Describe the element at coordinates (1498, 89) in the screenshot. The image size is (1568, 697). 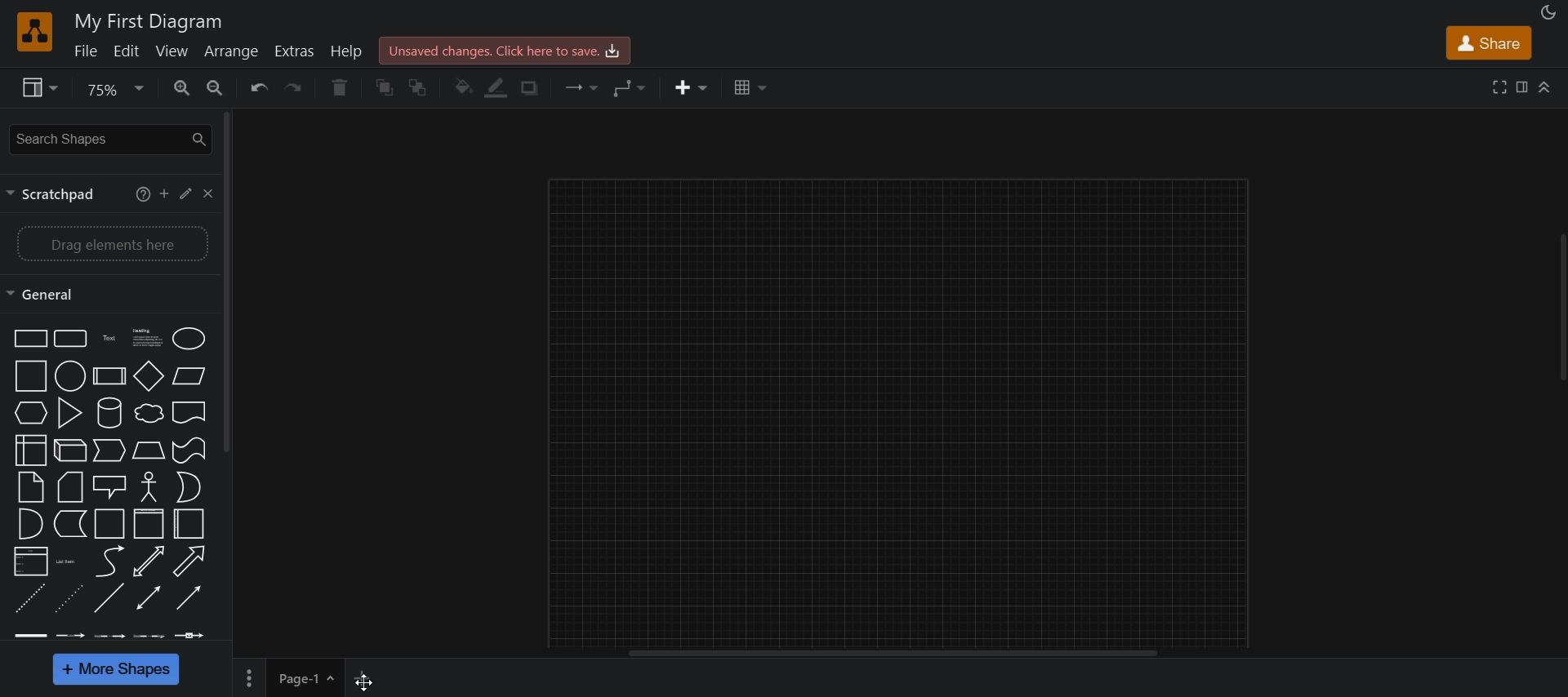
I see `fullscreen` at that location.